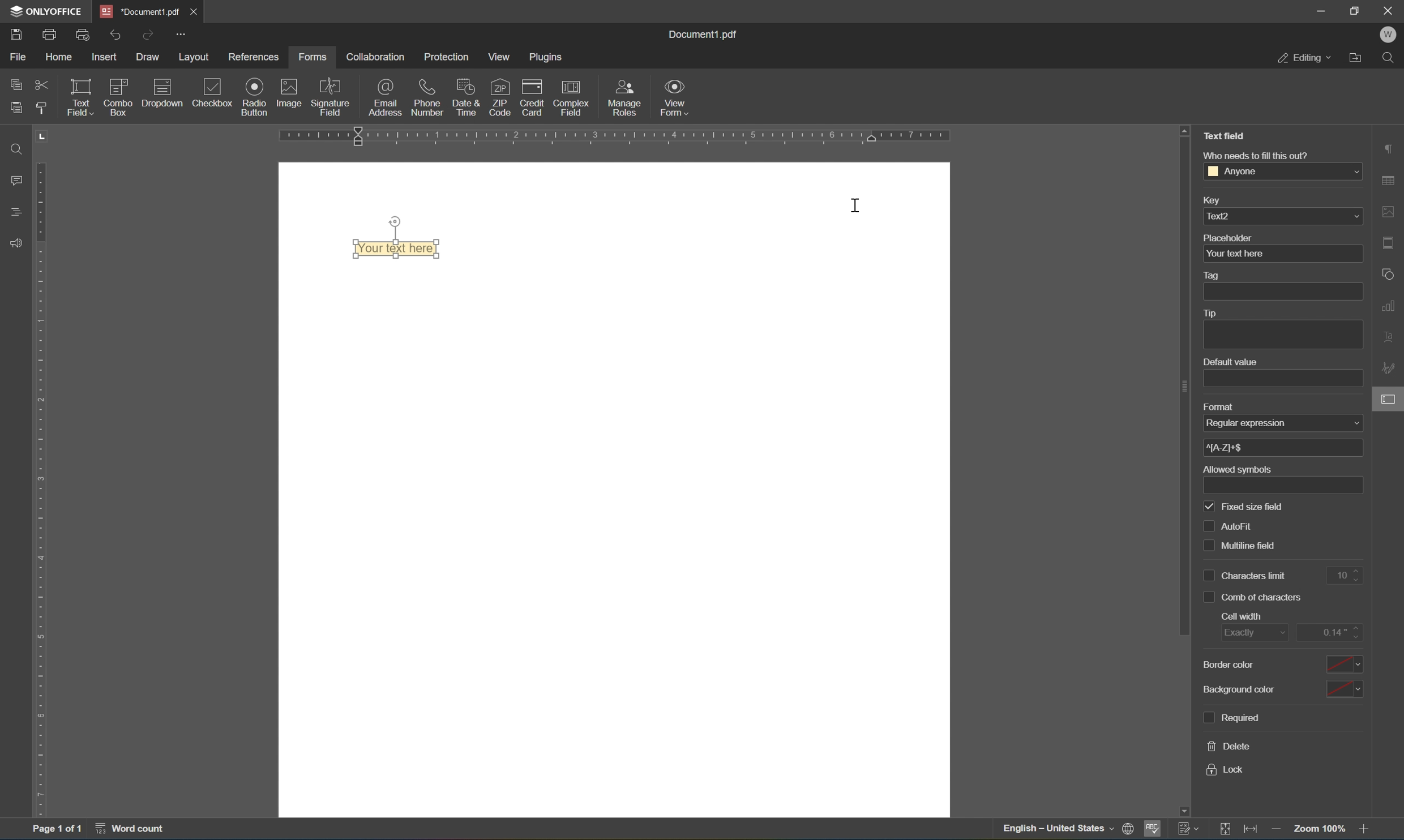  What do you see at coordinates (1241, 544) in the screenshot?
I see `multiline field` at bounding box center [1241, 544].